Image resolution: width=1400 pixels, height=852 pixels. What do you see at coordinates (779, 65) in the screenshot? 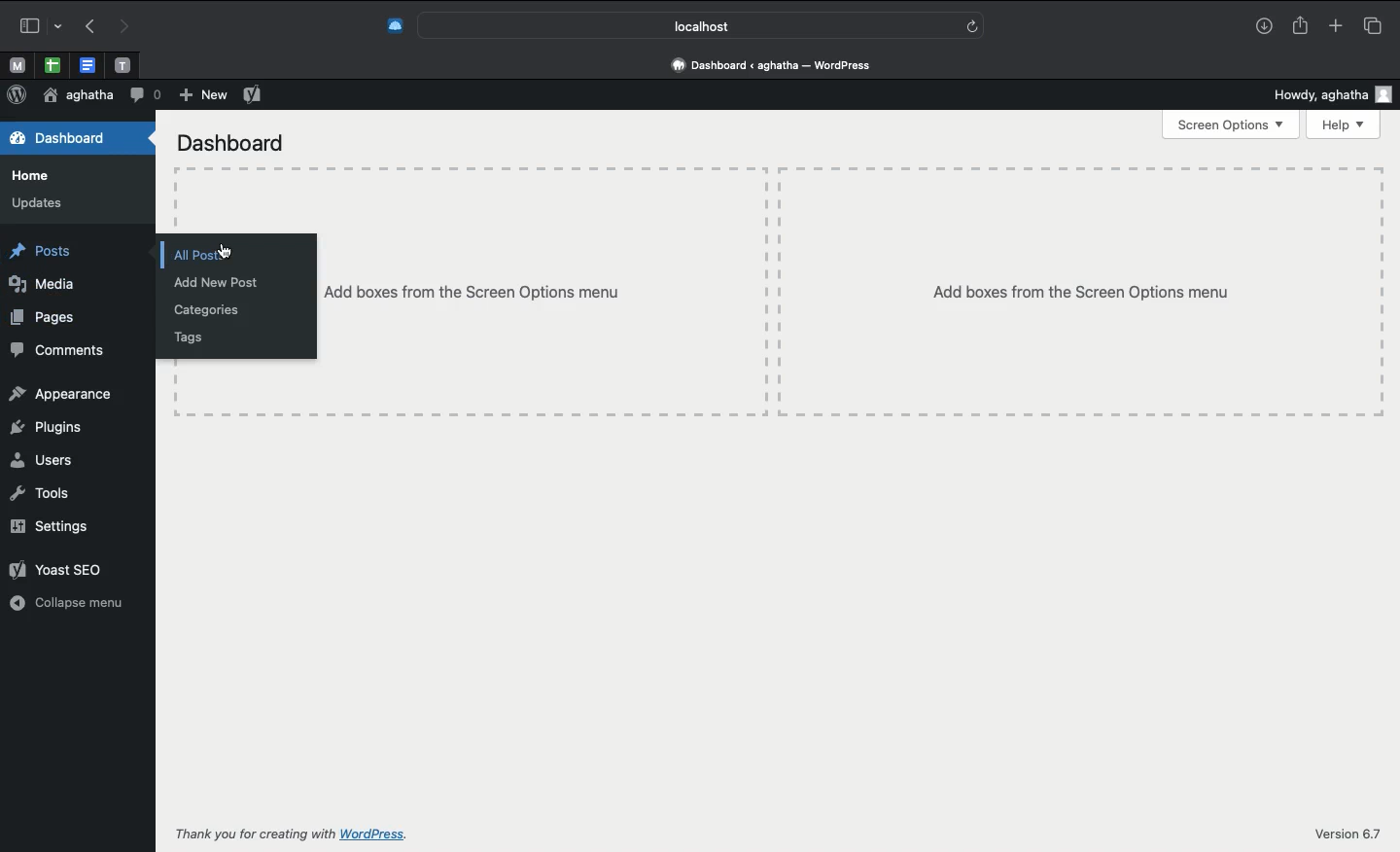
I see `Dashboard « aghatha — WordPress.` at bounding box center [779, 65].